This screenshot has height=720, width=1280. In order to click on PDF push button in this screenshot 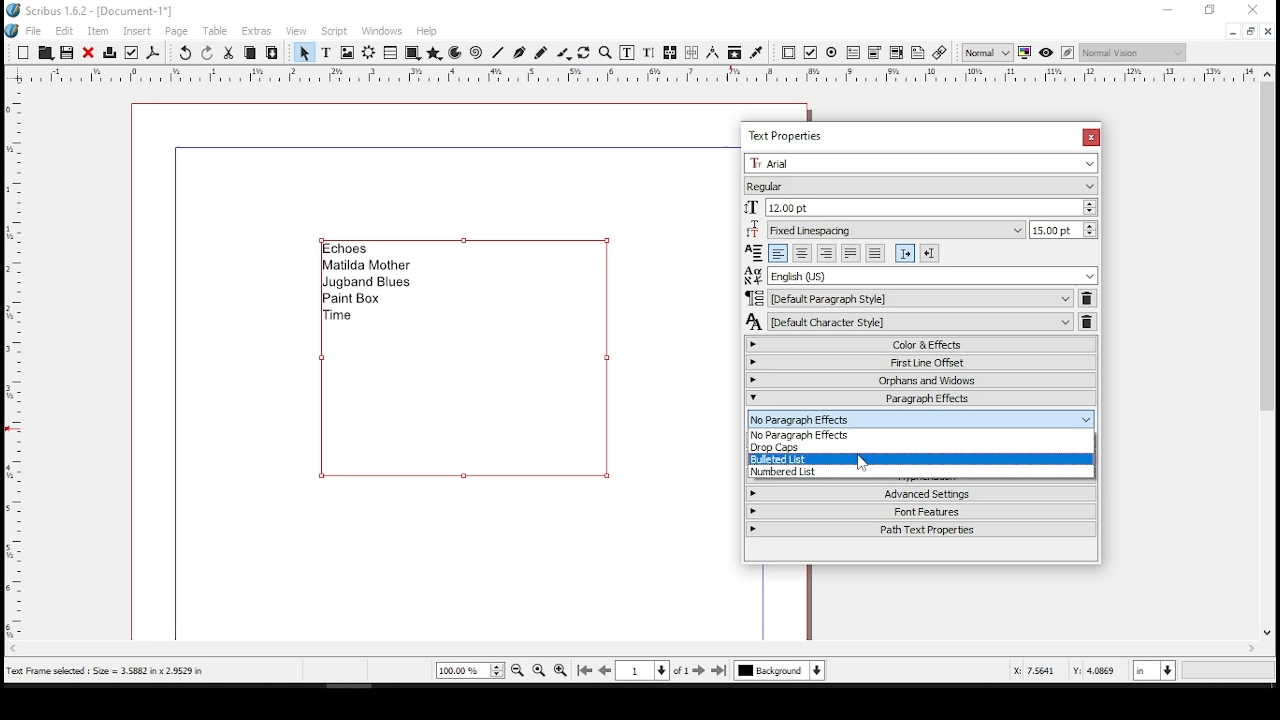, I will do `click(789, 52)`.